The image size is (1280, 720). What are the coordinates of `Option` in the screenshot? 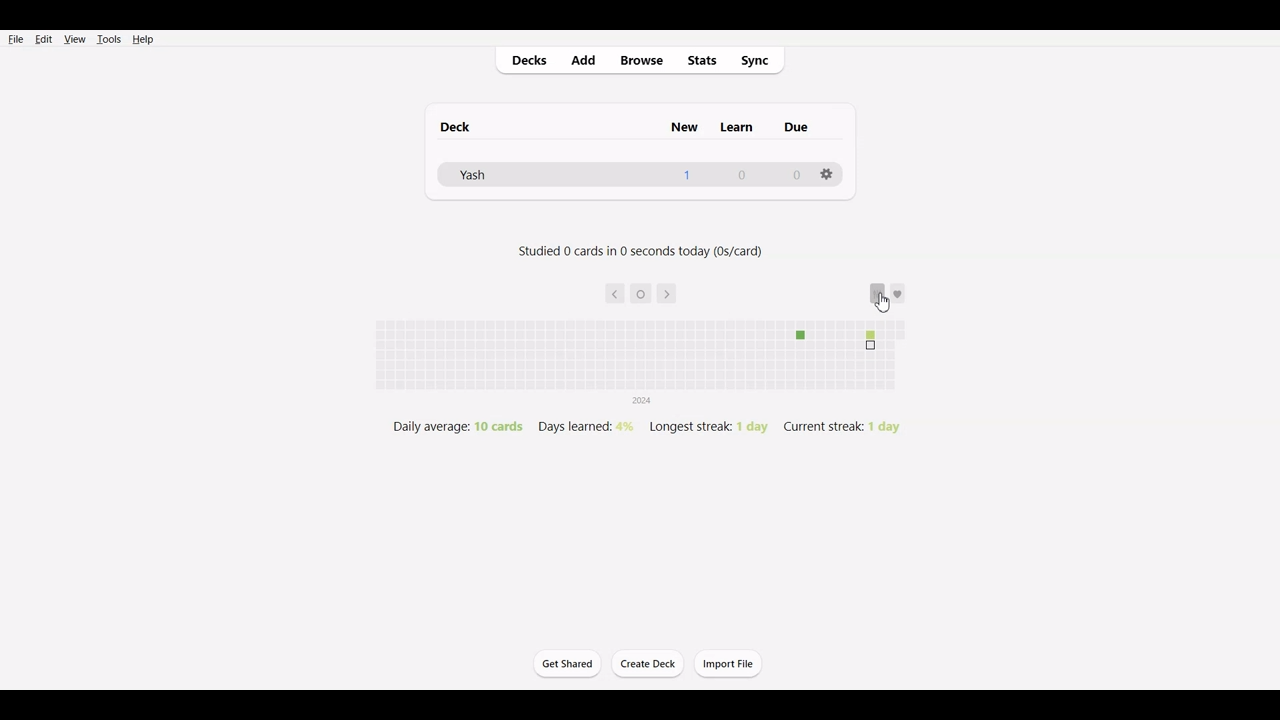 It's located at (877, 292).